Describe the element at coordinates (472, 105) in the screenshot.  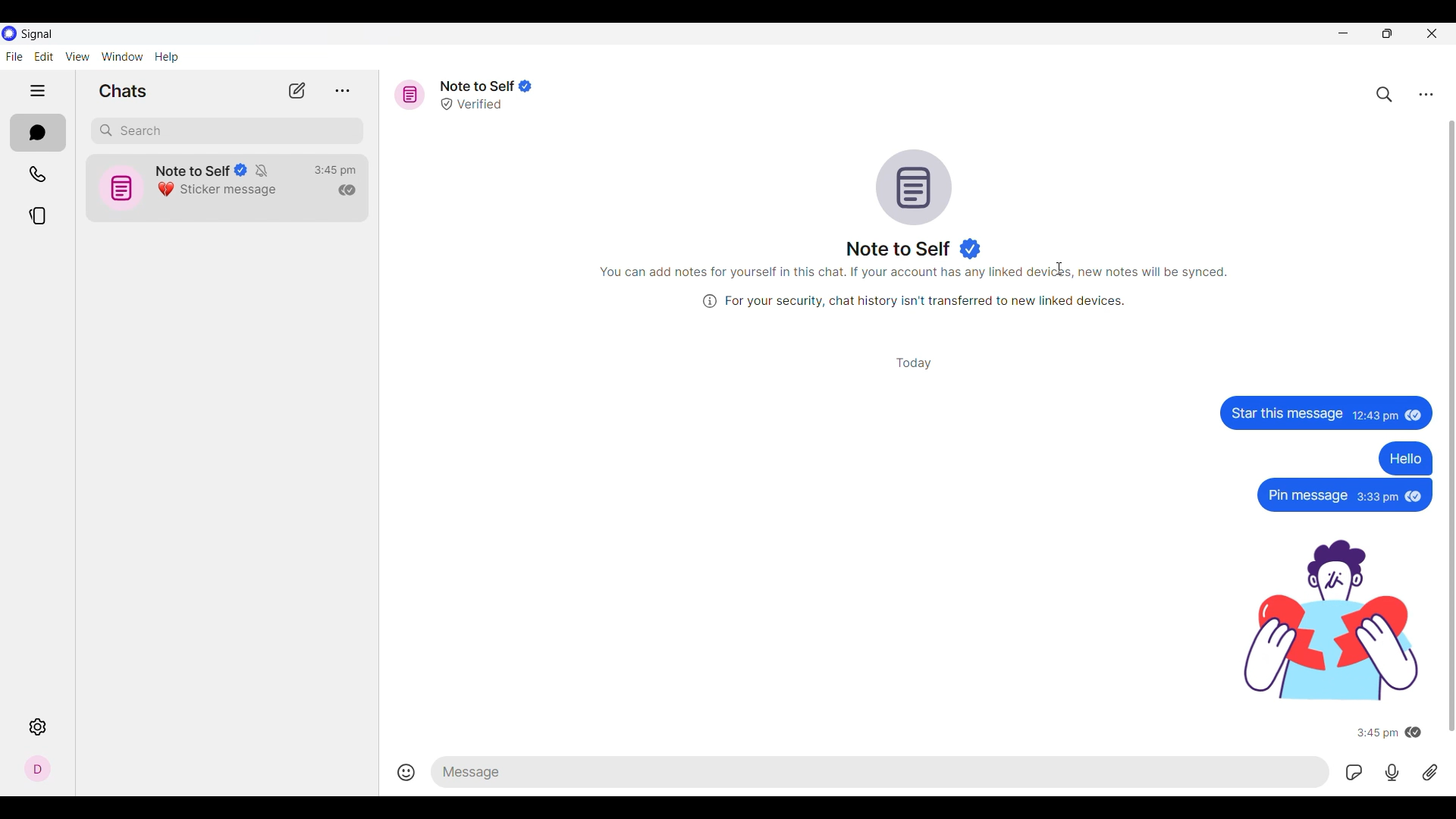
I see `Verified` at that location.